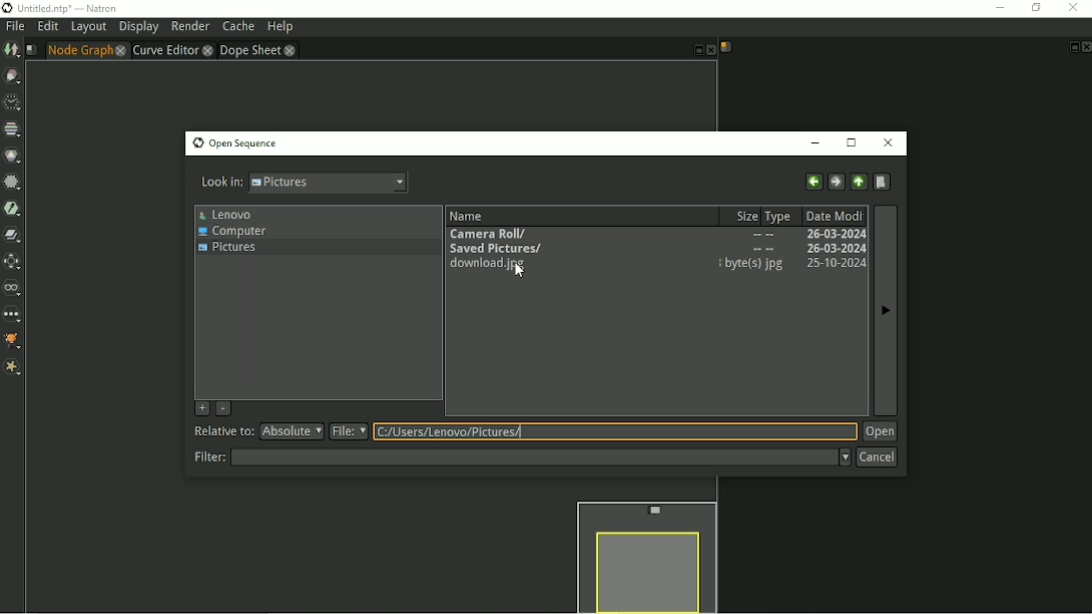  I want to click on Minimize, so click(818, 144).